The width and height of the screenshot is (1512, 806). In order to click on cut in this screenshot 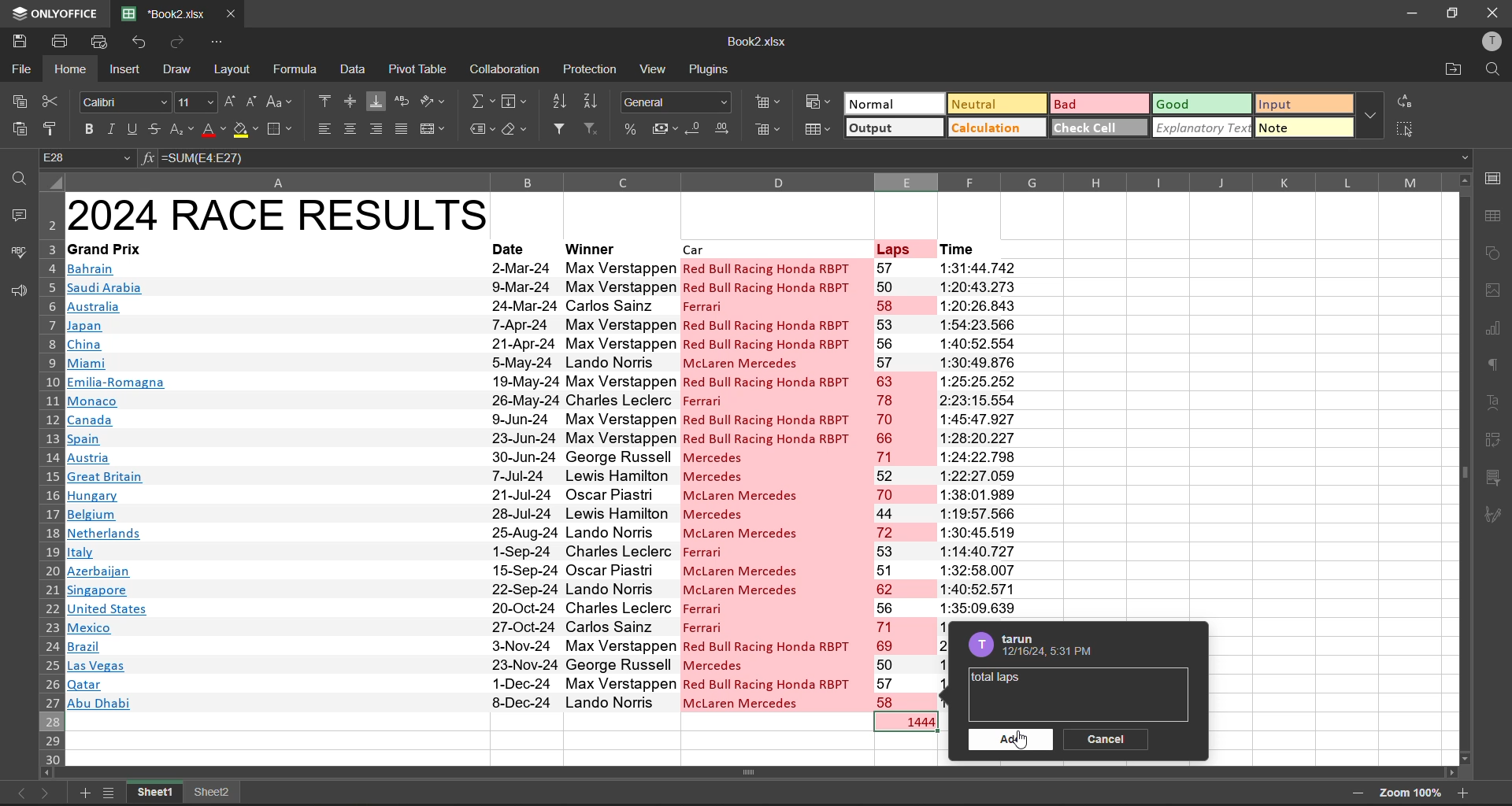, I will do `click(52, 100)`.